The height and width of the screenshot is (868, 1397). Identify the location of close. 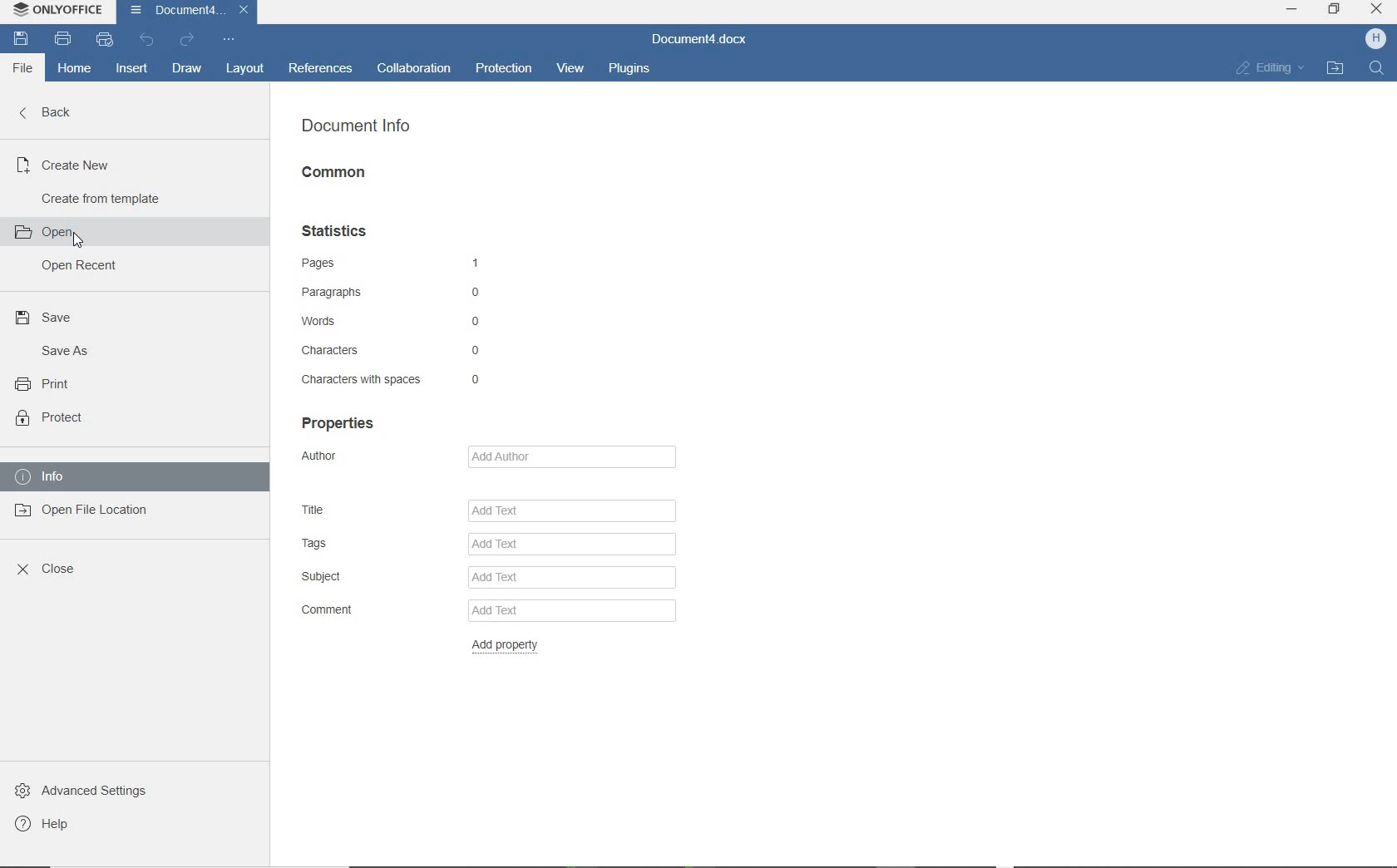
(1377, 8).